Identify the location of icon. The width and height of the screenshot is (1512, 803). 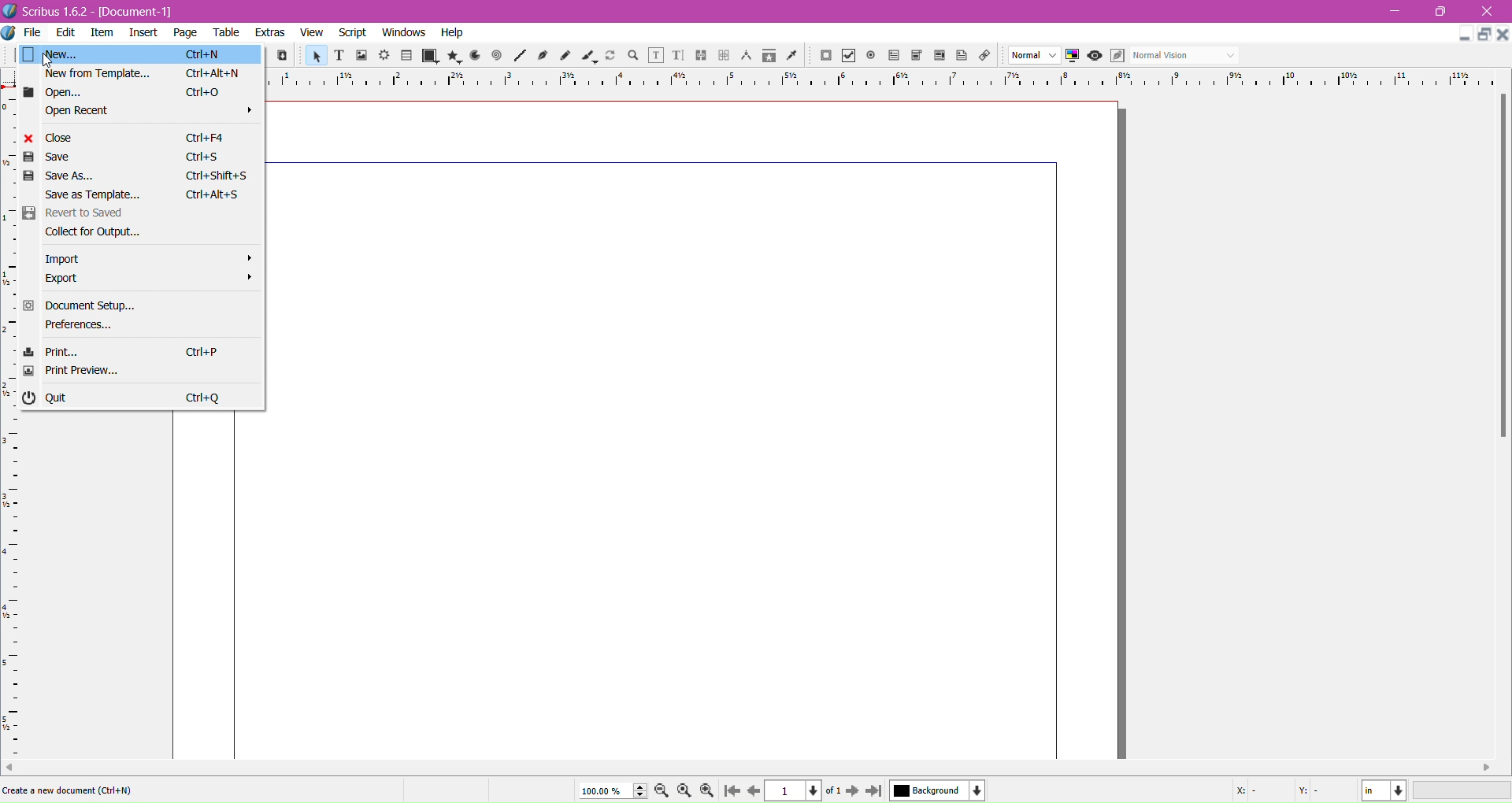
(673, 57).